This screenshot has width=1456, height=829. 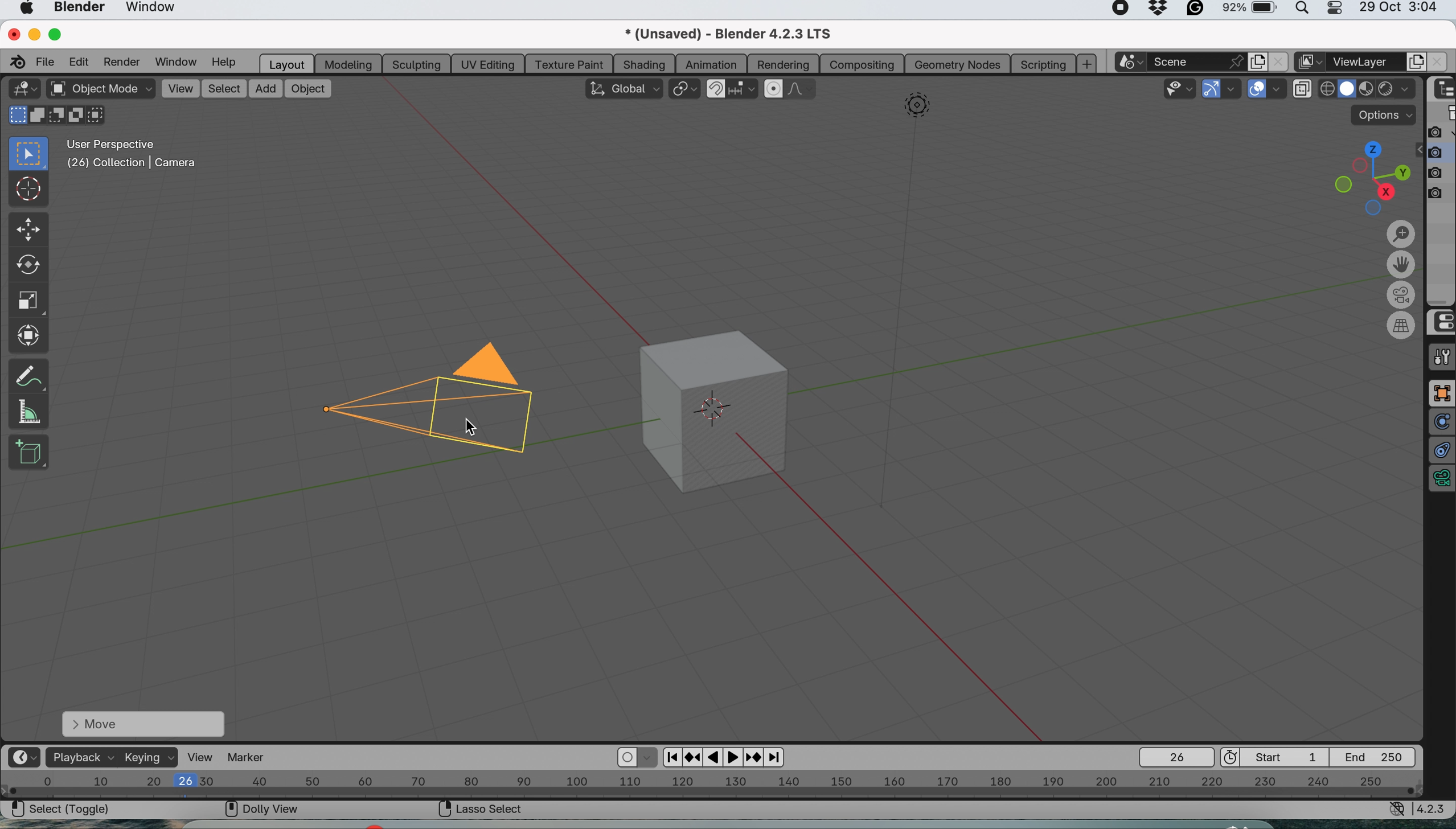 What do you see at coordinates (1277, 757) in the screenshot?
I see `first frame` at bounding box center [1277, 757].